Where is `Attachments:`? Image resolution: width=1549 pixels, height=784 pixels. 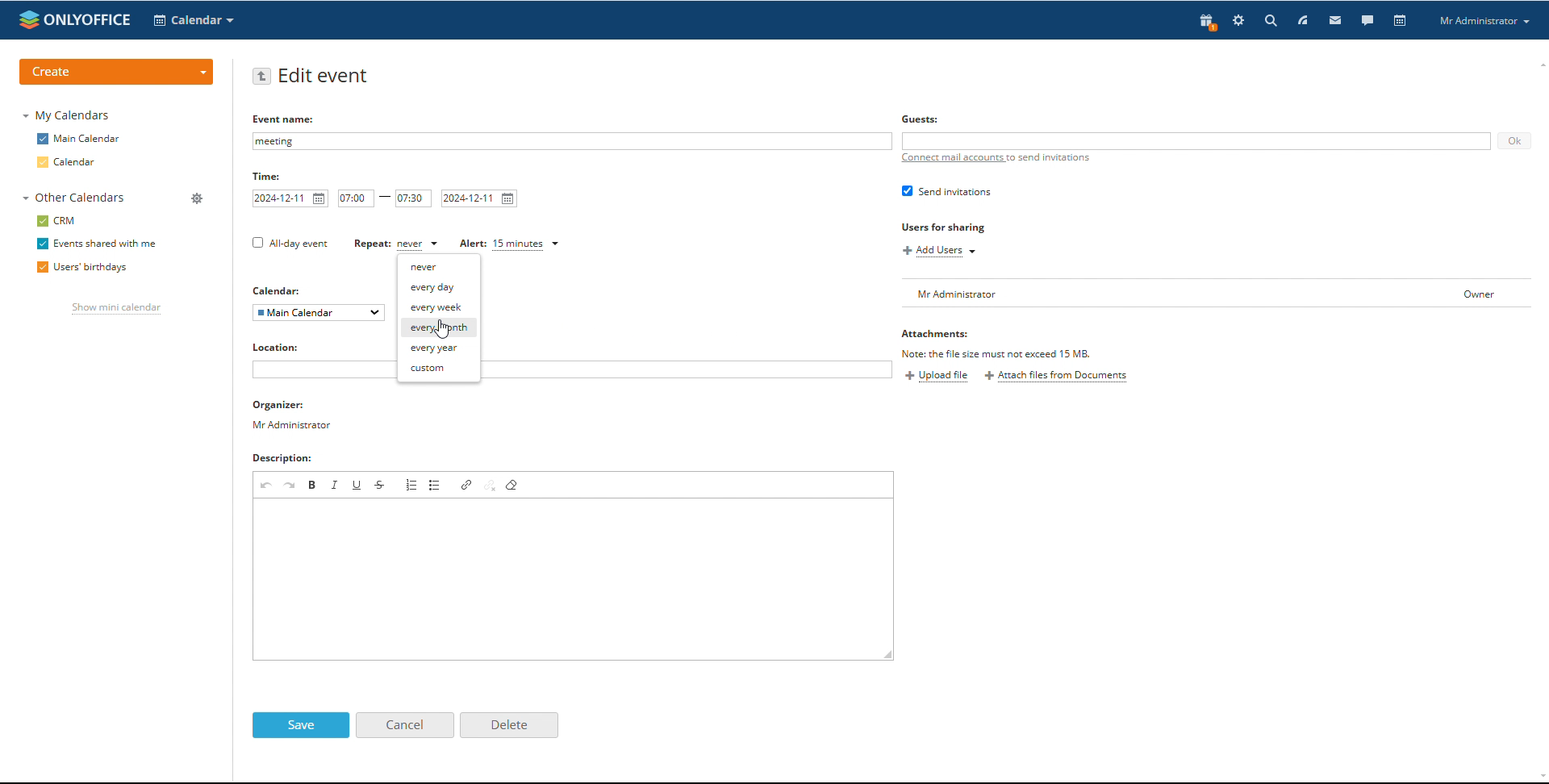
Attachments: is located at coordinates (935, 336).